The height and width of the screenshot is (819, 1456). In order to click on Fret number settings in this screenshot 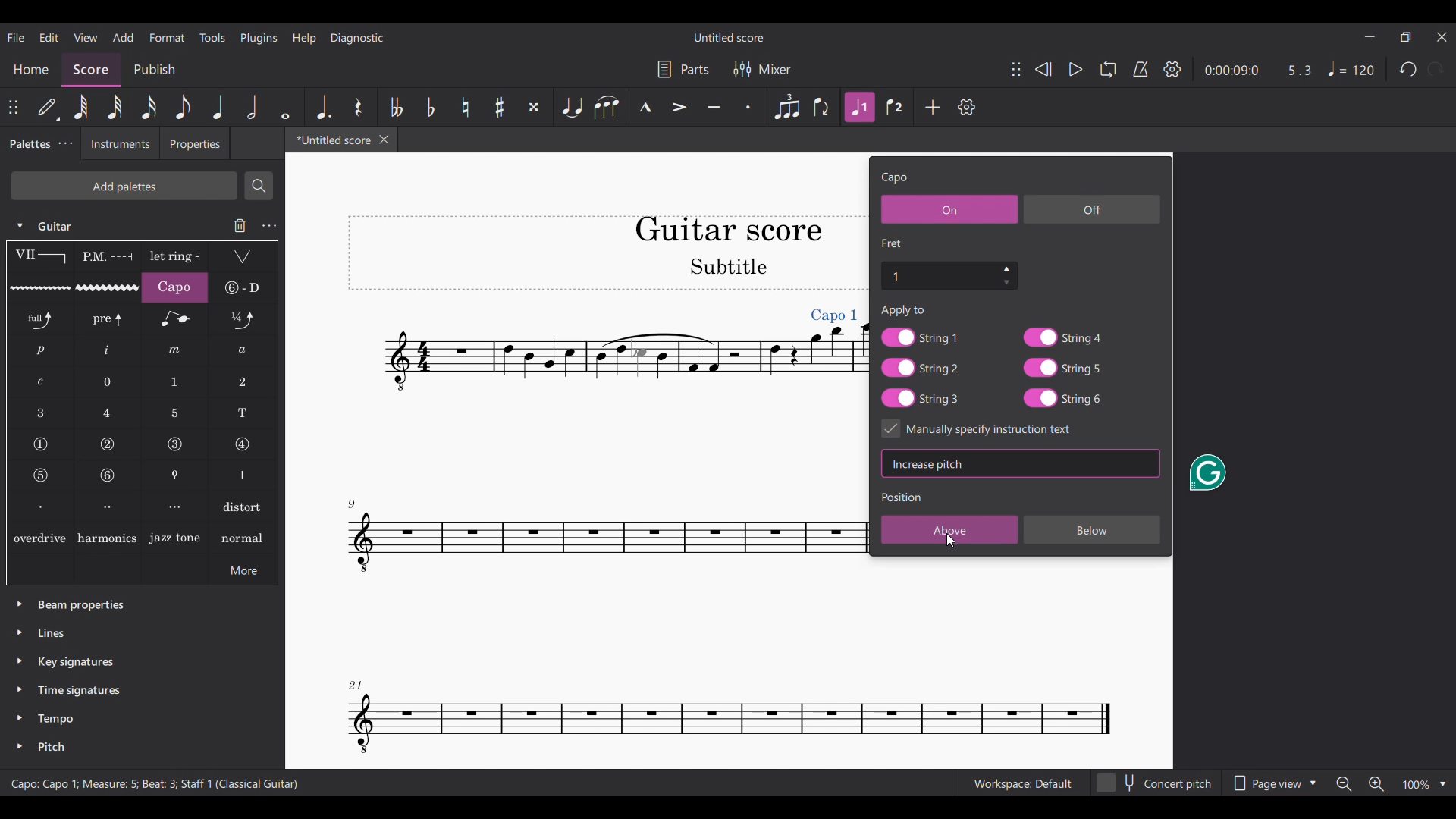, I will do `click(949, 275)`.